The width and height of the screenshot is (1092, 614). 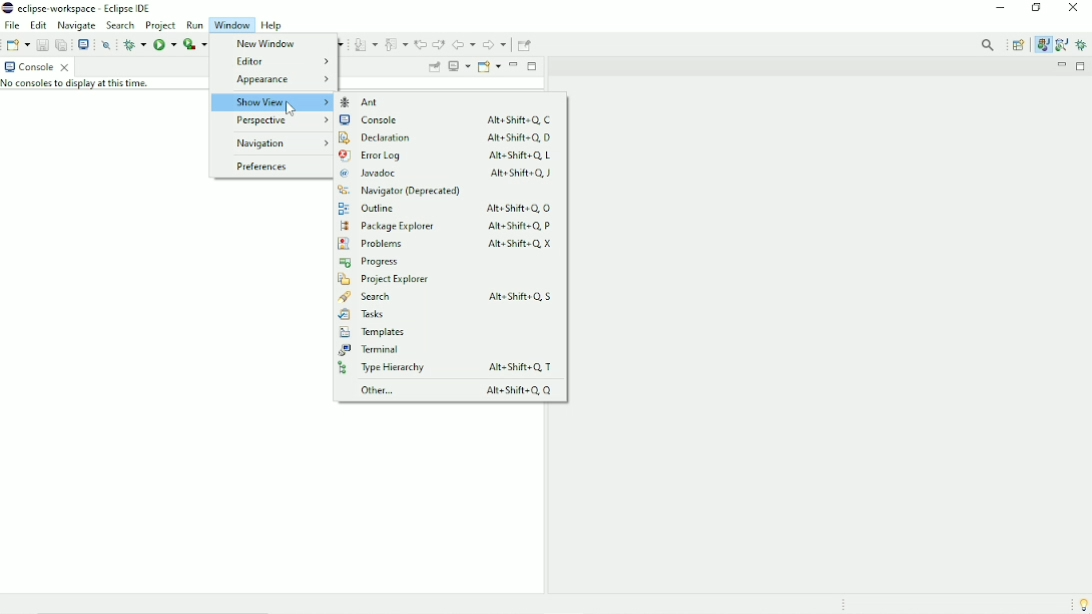 What do you see at coordinates (526, 44) in the screenshot?
I see `Pin Editor` at bounding box center [526, 44].